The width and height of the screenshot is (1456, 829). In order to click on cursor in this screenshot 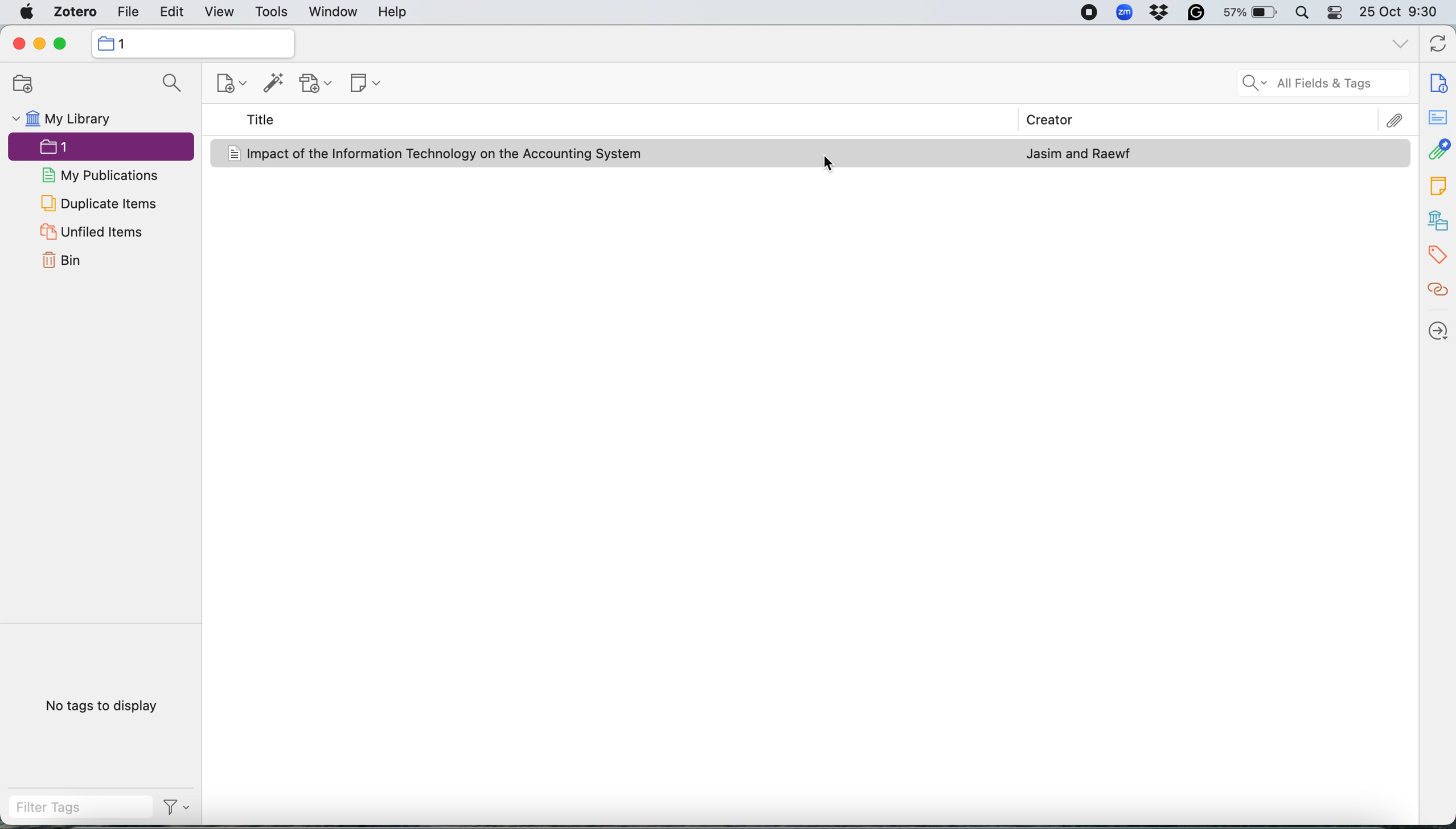, I will do `click(825, 163)`.